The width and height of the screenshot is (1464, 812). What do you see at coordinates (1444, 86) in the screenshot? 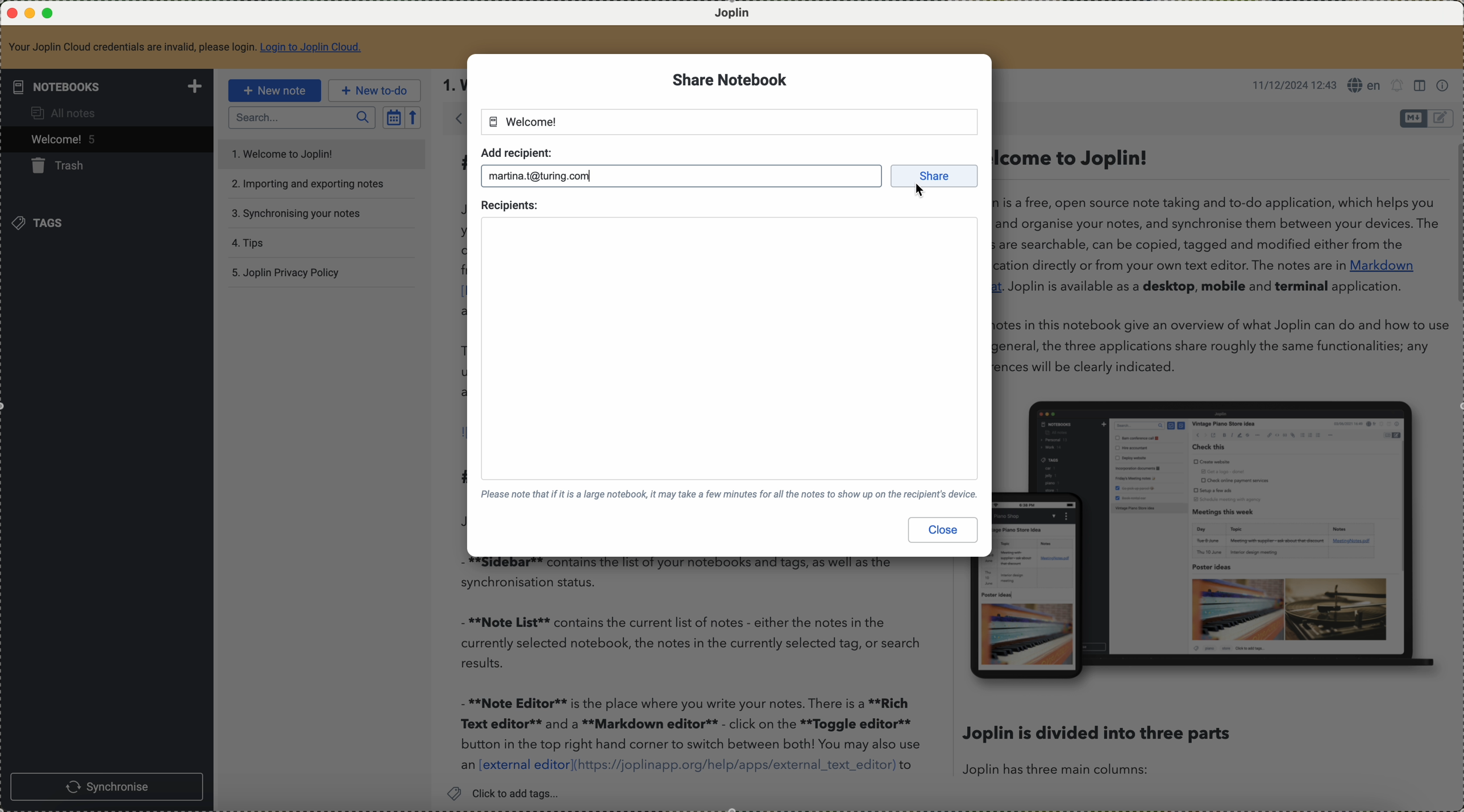
I see `note properties` at bounding box center [1444, 86].